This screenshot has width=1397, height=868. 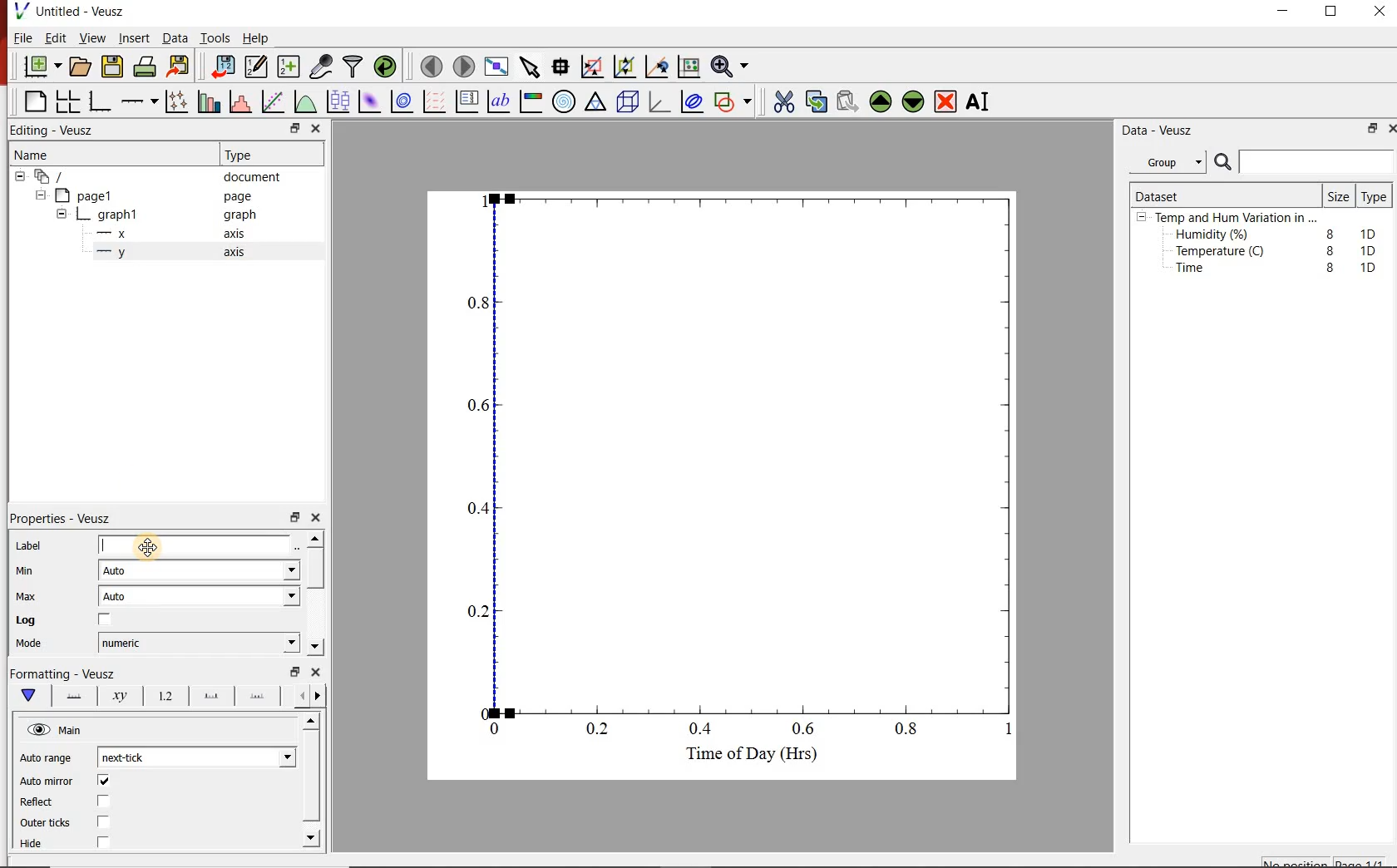 What do you see at coordinates (737, 104) in the screenshot?
I see `add a shape to the plot` at bounding box center [737, 104].